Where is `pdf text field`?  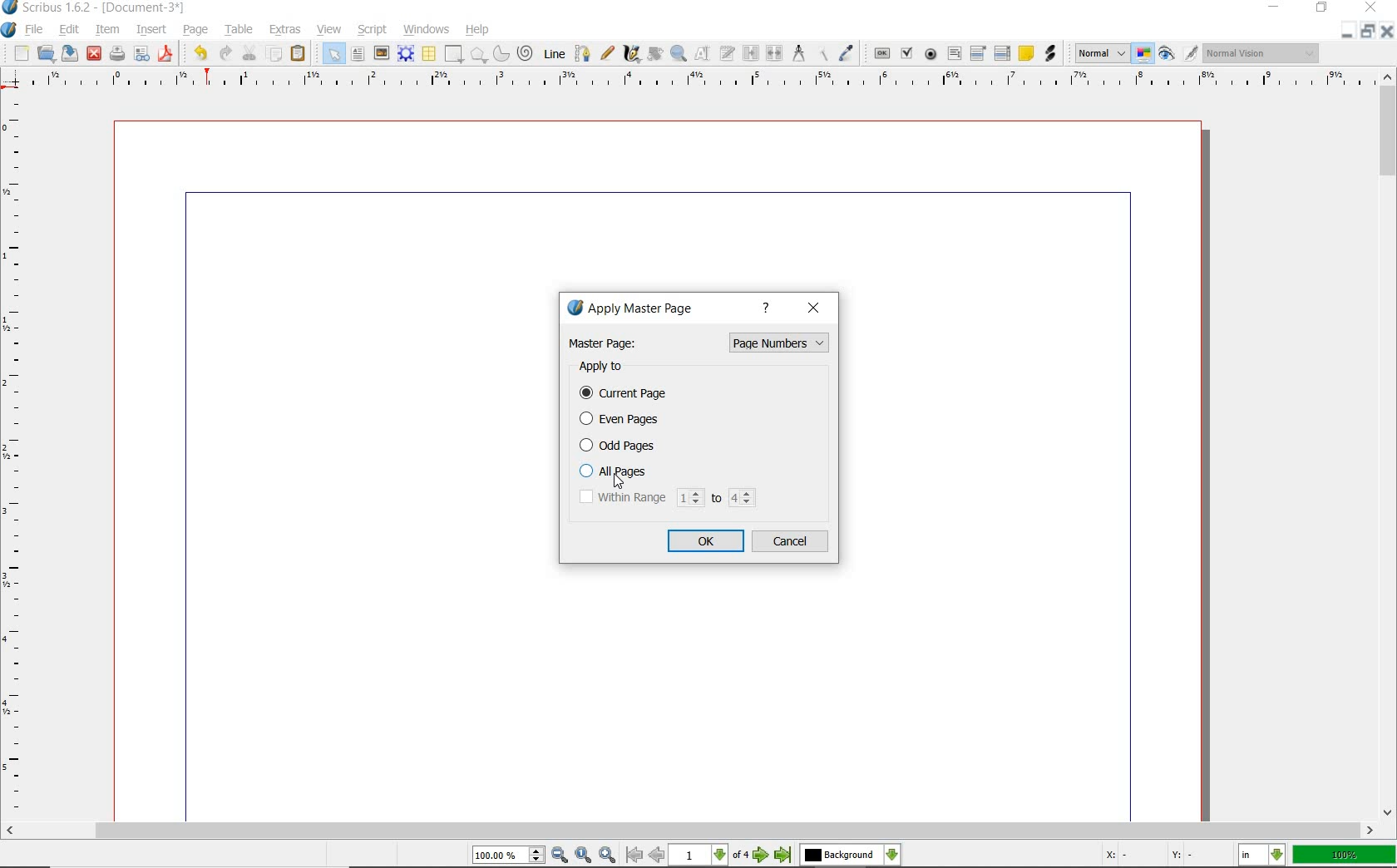 pdf text field is located at coordinates (955, 52).